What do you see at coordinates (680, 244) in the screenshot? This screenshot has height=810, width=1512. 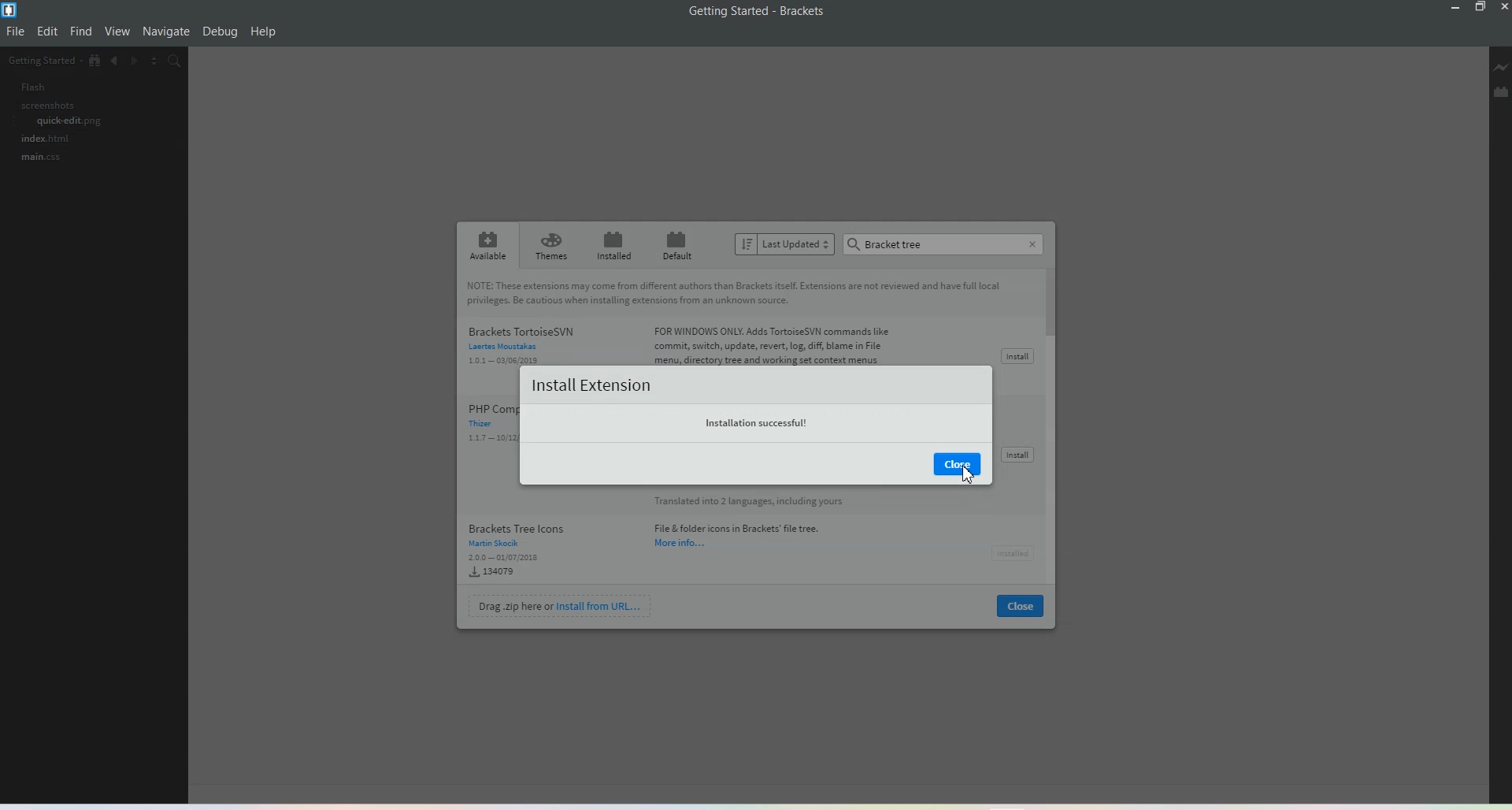 I see `Default` at bounding box center [680, 244].